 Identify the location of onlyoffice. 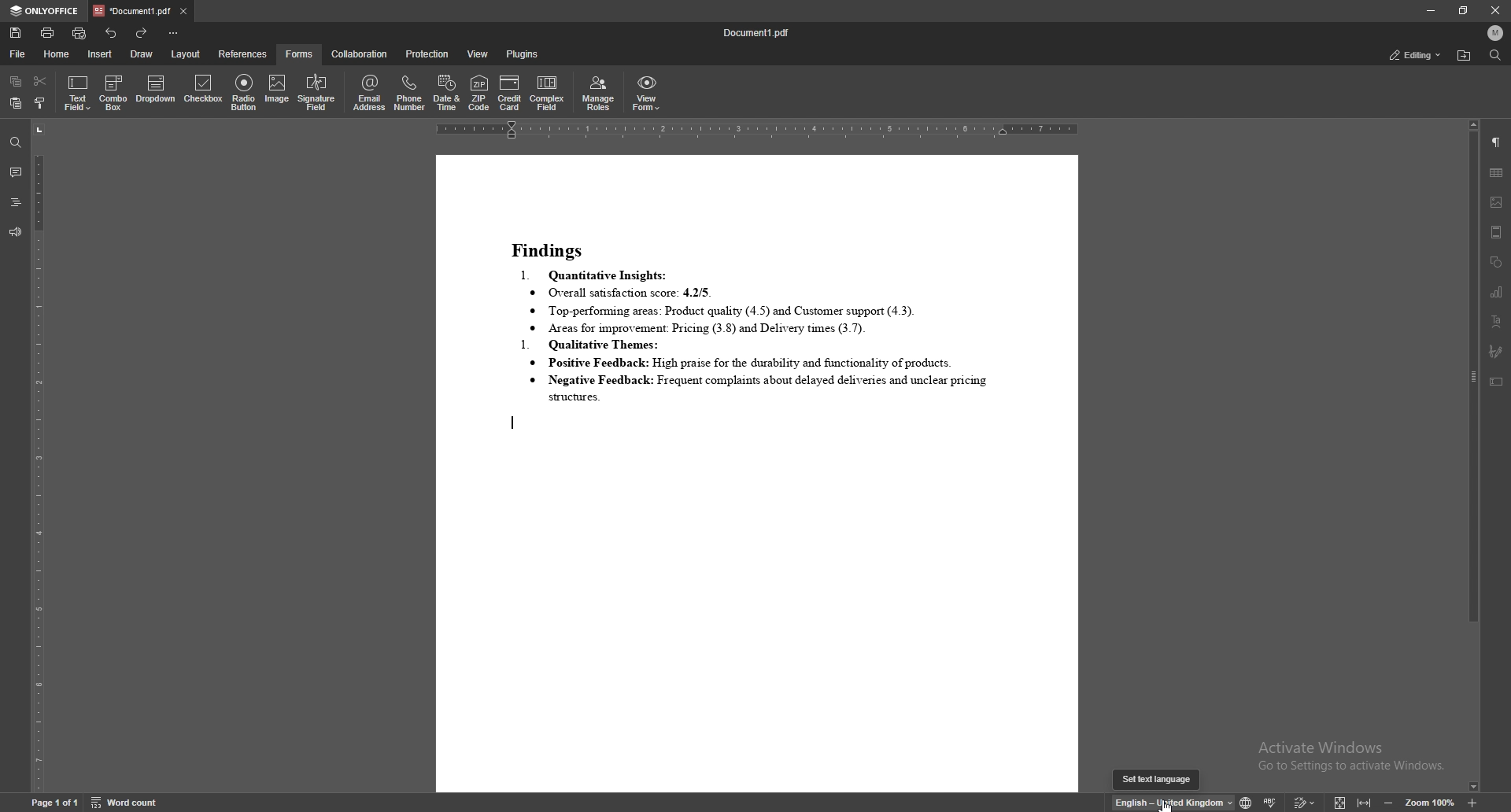
(45, 11).